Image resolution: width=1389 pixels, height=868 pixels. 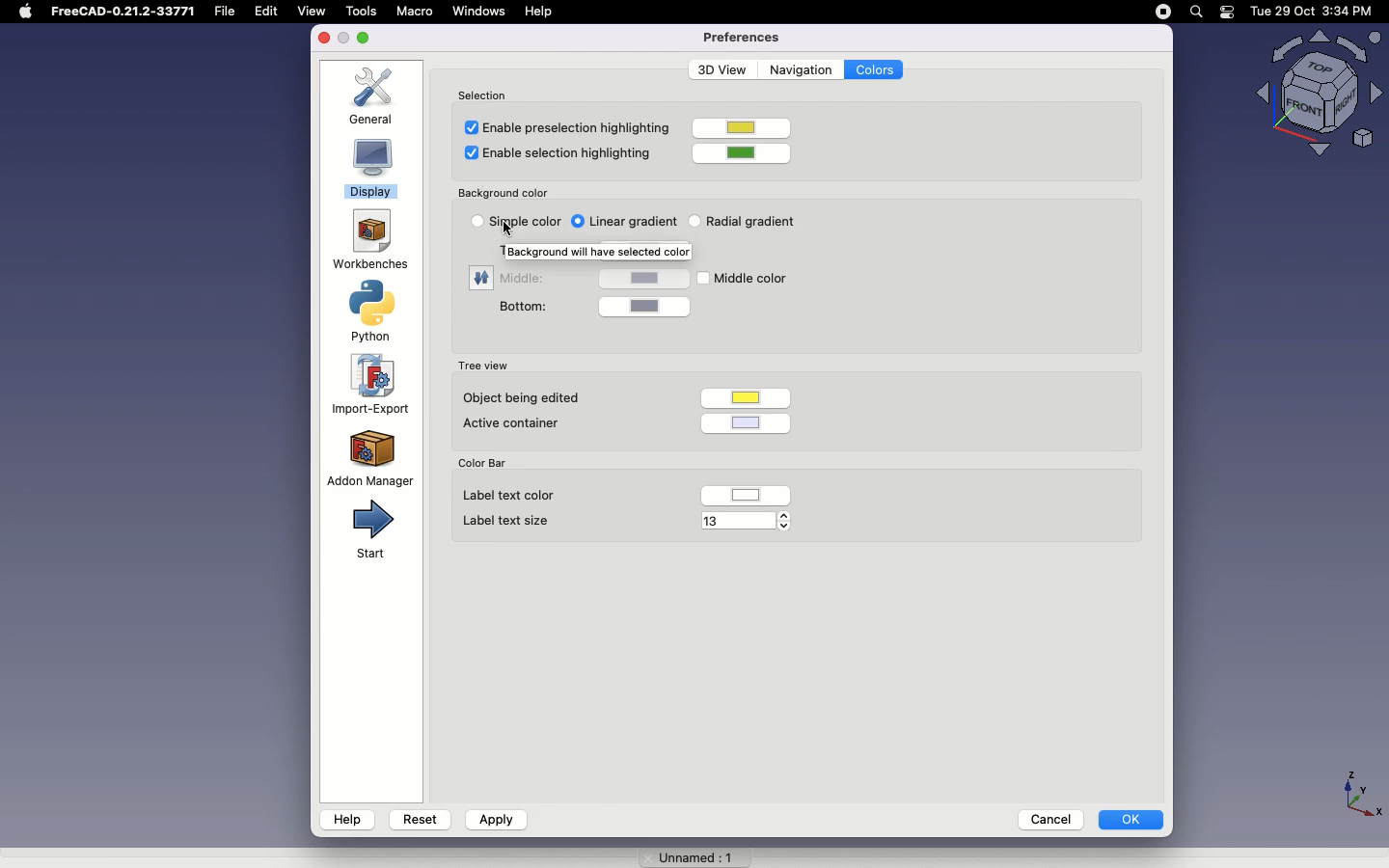 I want to click on settings, so click(x=479, y=277).